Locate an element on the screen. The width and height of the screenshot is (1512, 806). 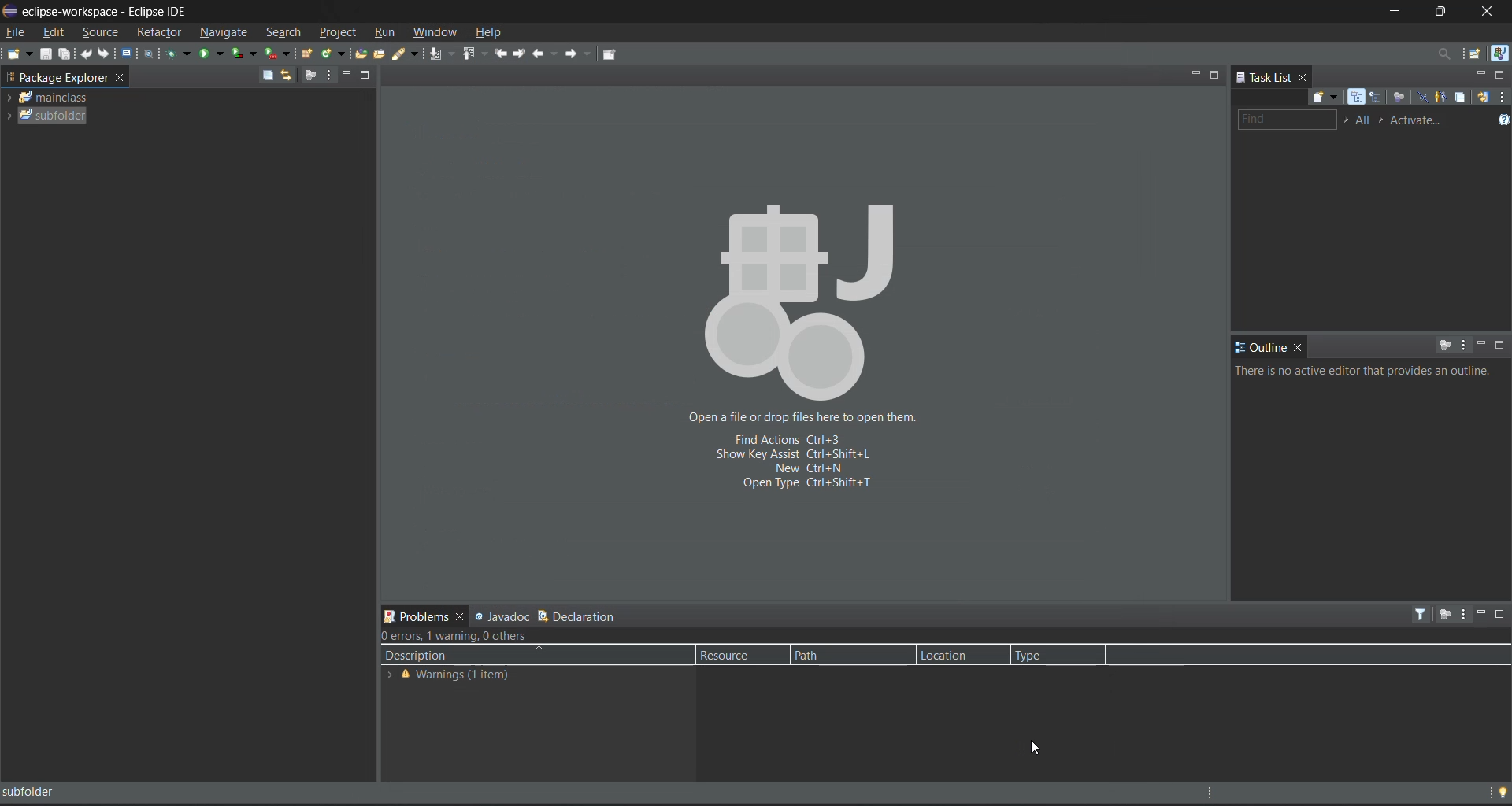
view menu is located at coordinates (1503, 98).